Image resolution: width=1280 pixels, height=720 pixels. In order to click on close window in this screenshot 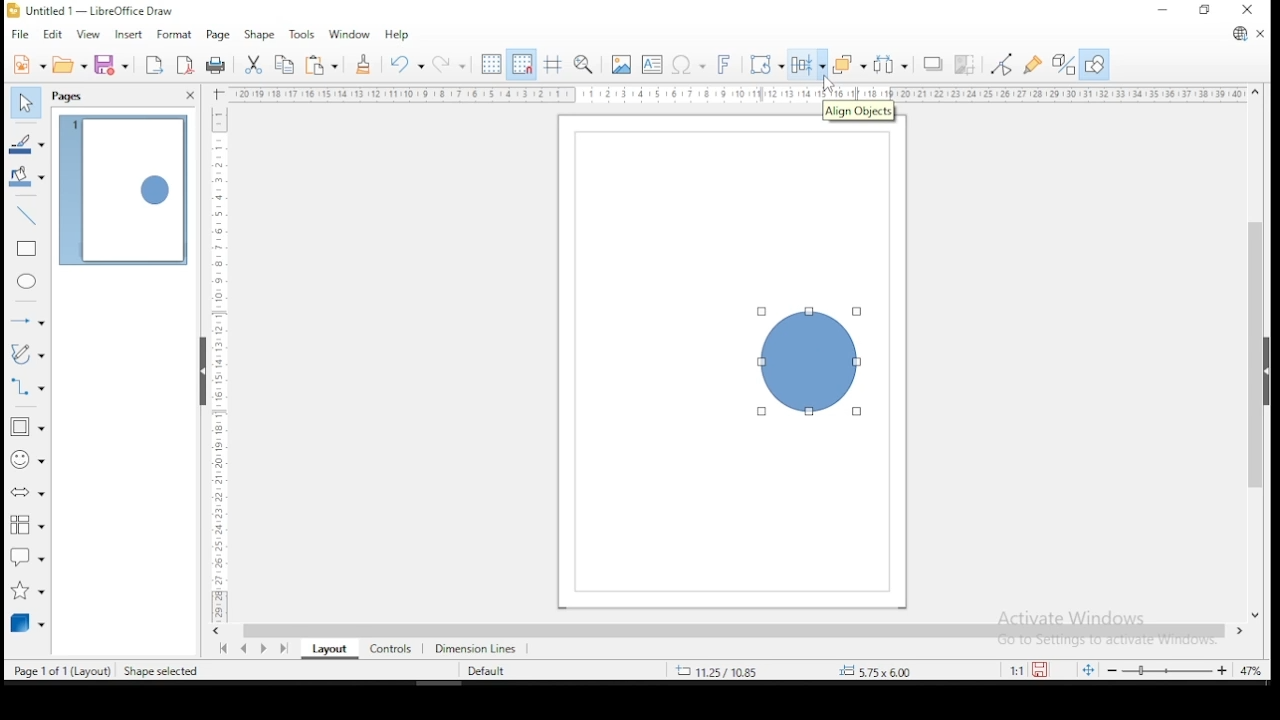, I will do `click(1249, 10)`.